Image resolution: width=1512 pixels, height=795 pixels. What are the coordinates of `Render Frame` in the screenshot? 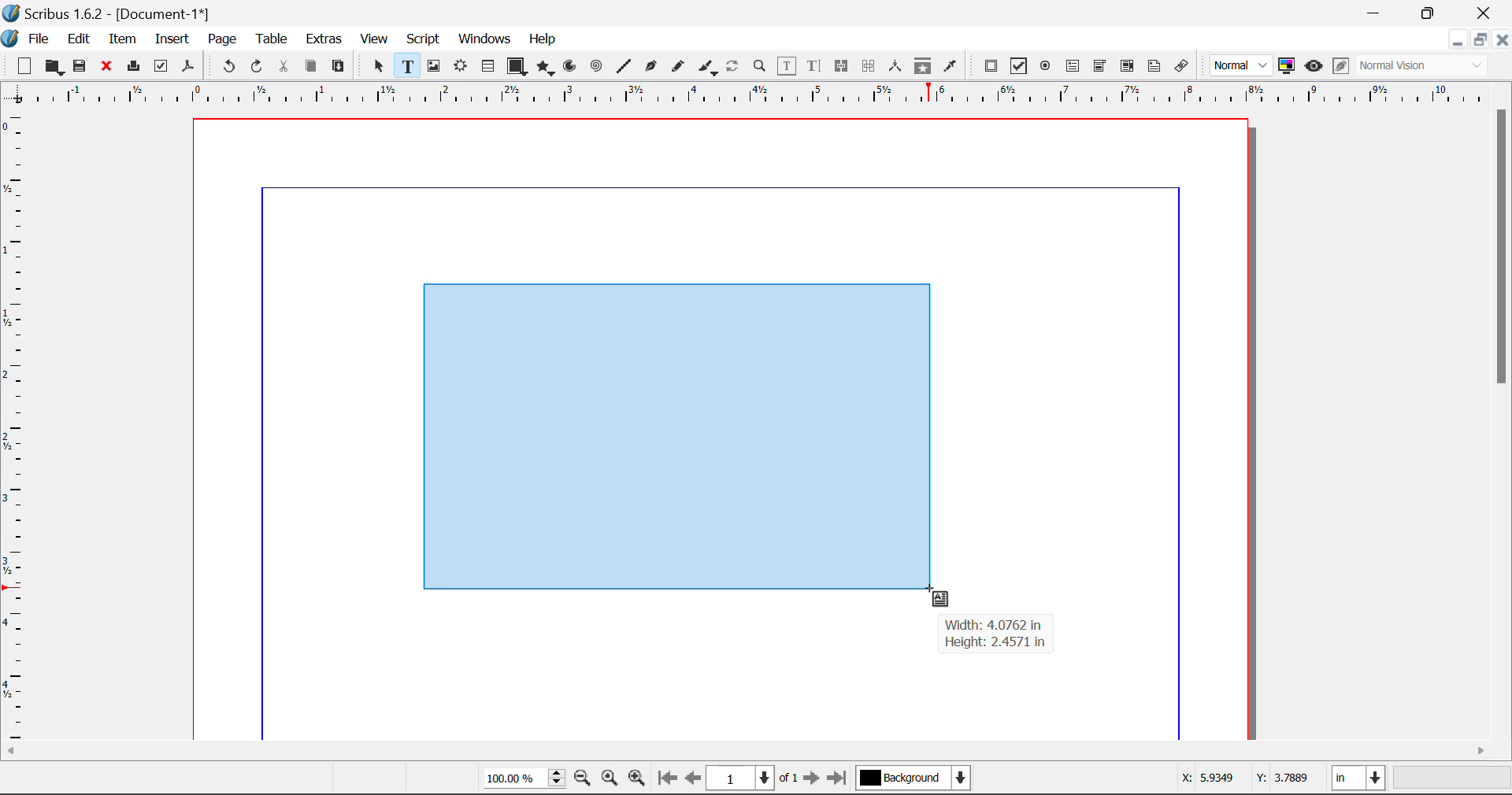 It's located at (460, 67).